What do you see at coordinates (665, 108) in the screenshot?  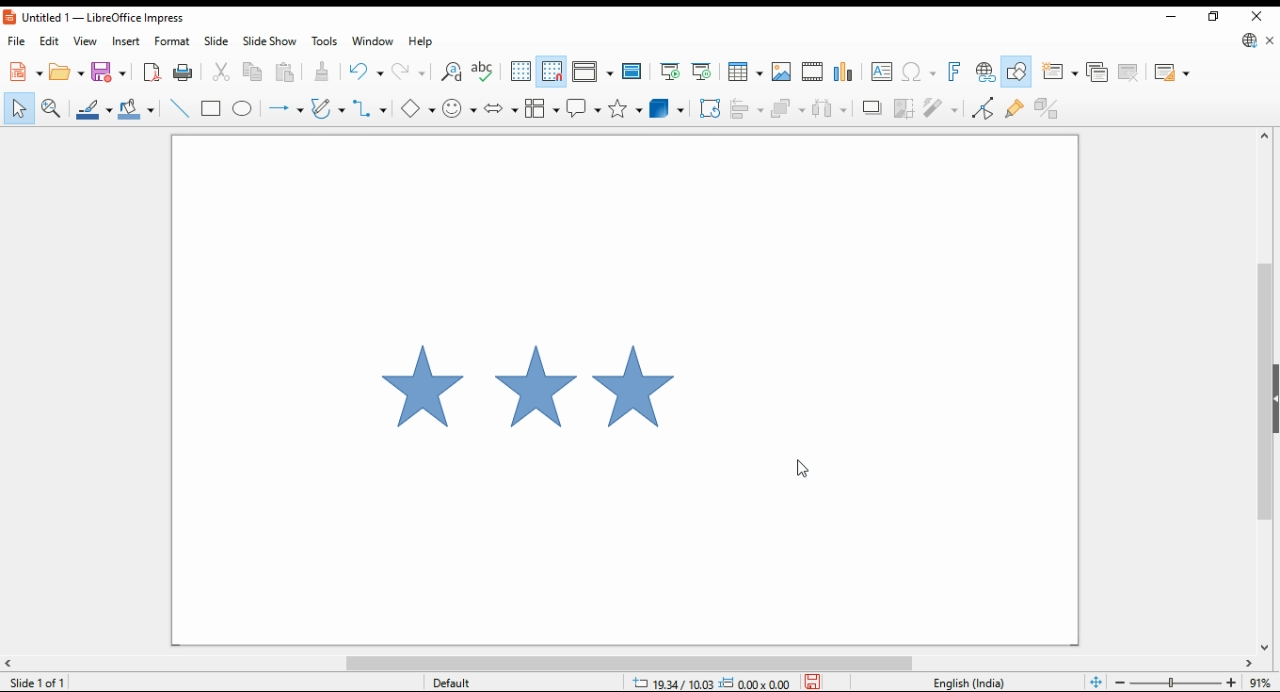 I see `3D objects` at bounding box center [665, 108].